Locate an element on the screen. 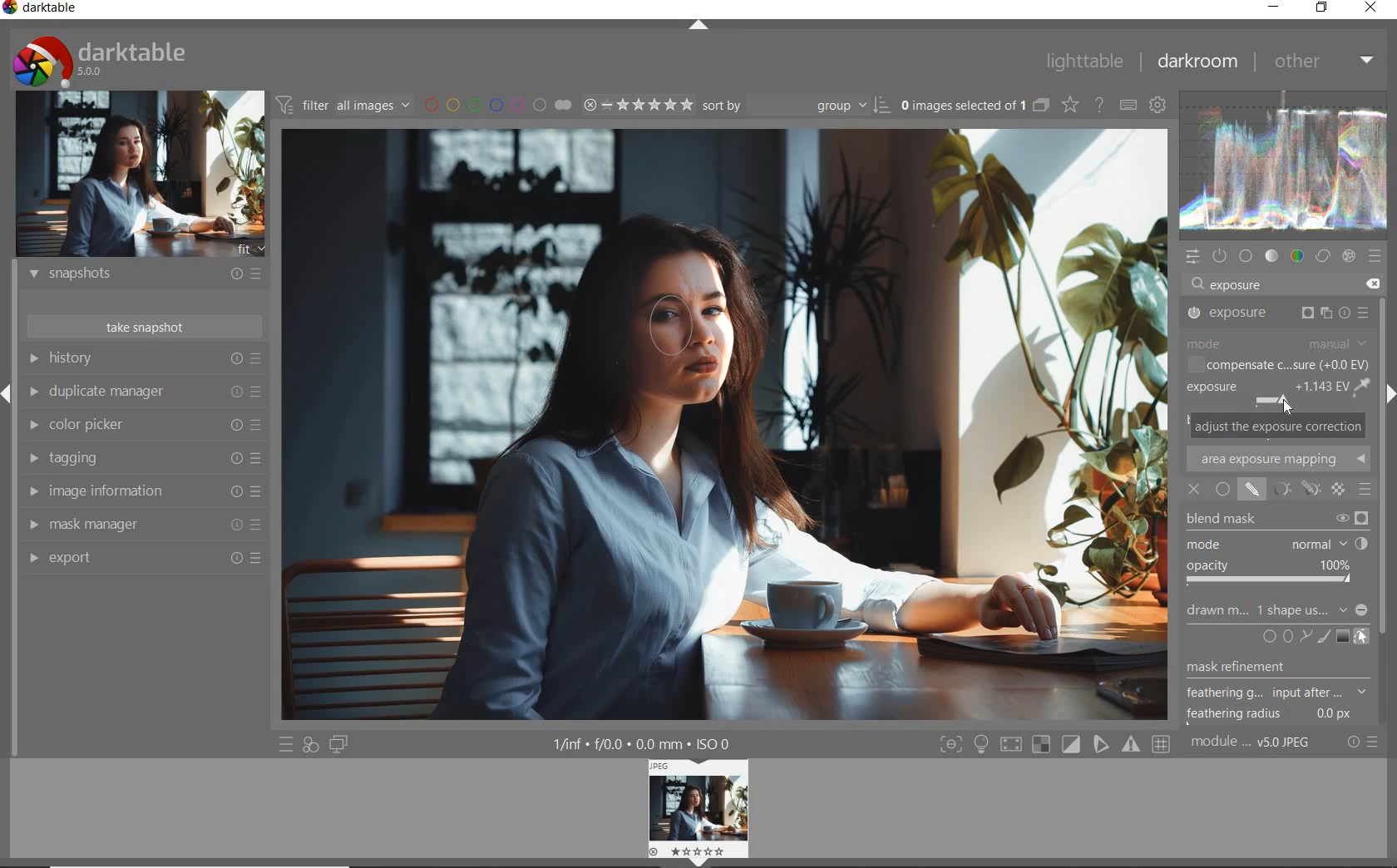 This screenshot has height=868, width=1397. quick access for applying any of your styles is located at coordinates (309, 746).